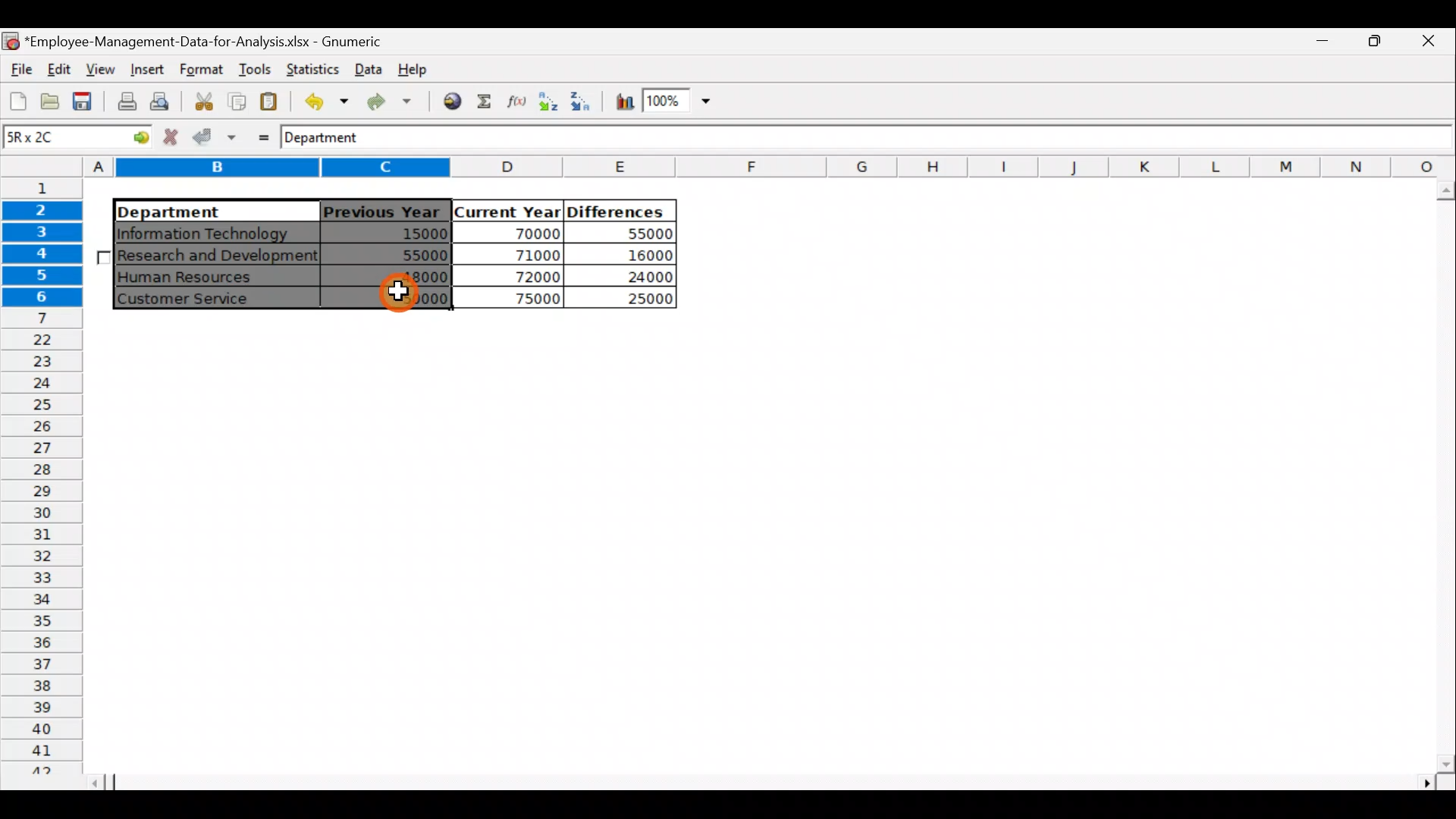 This screenshot has width=1456, height=819. What do you see at coordinates (199, 70) in the screenshot?
I see `Format` at bounding box center [199, 70].